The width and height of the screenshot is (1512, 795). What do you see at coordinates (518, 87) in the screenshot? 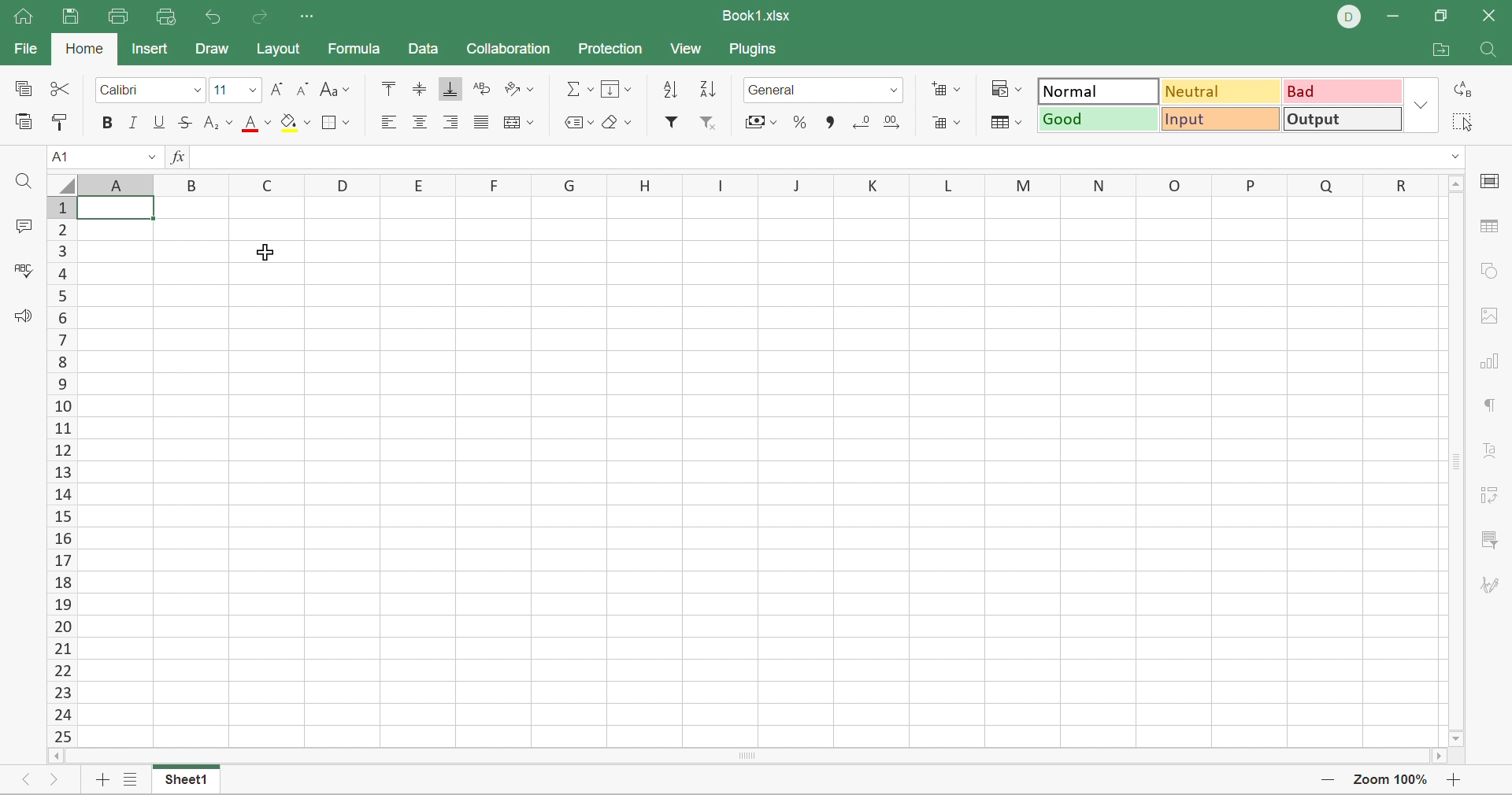
I see `Orientation` at bounding box center [518, 87].